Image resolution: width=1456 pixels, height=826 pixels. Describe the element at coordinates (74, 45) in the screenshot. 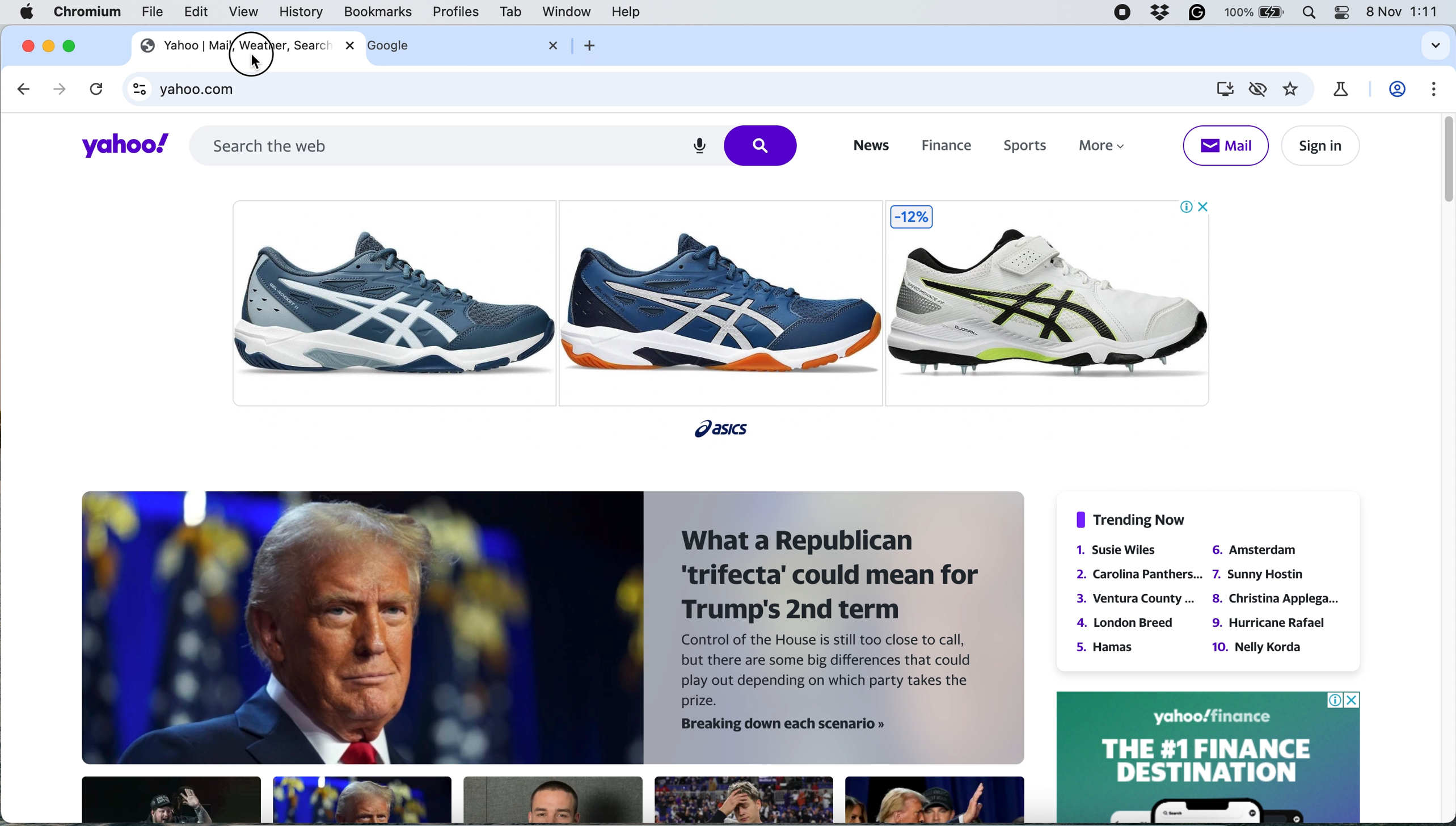

I see `maximise` at that location.